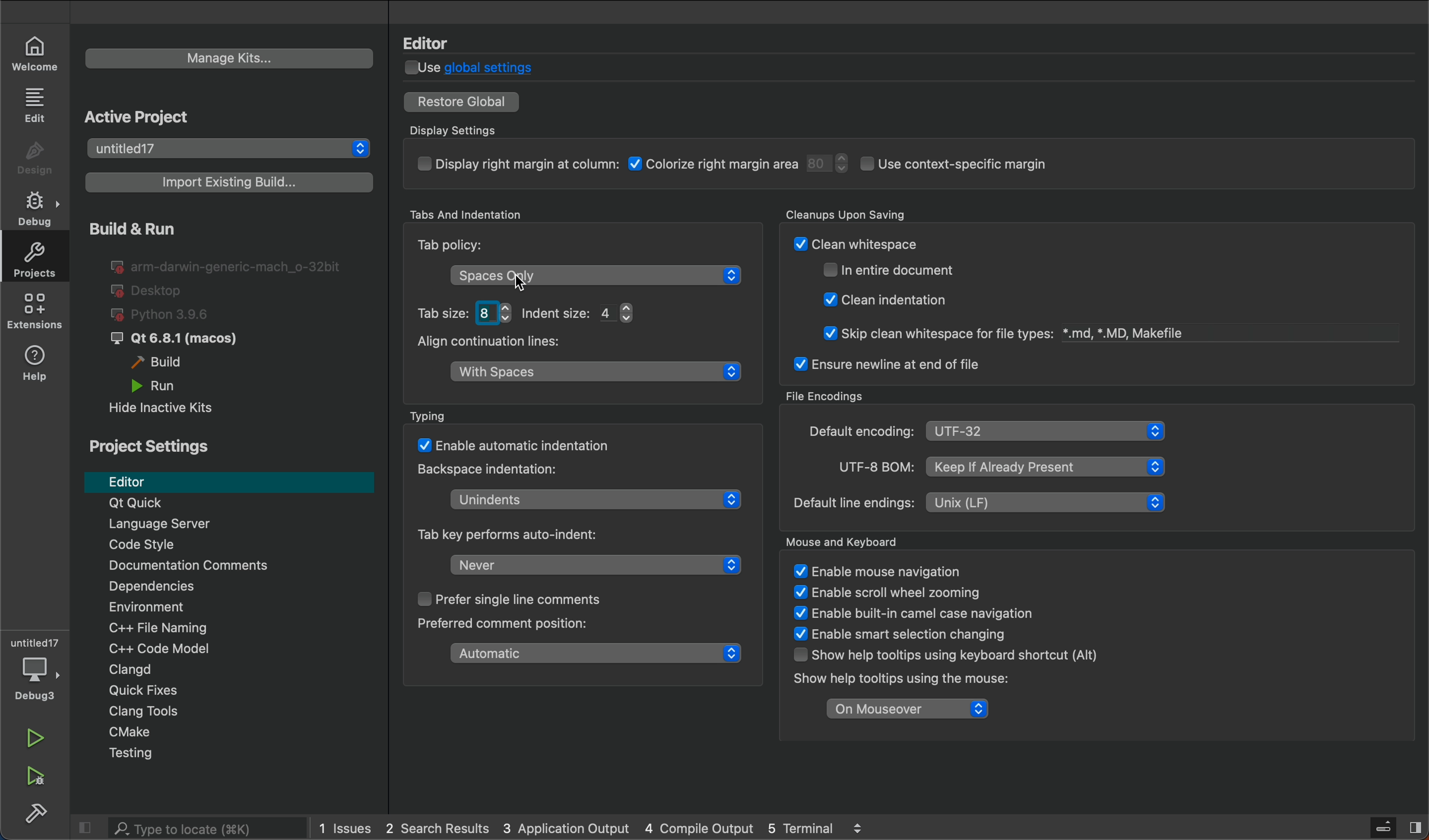  I want to click on debug, so click(40, 207).